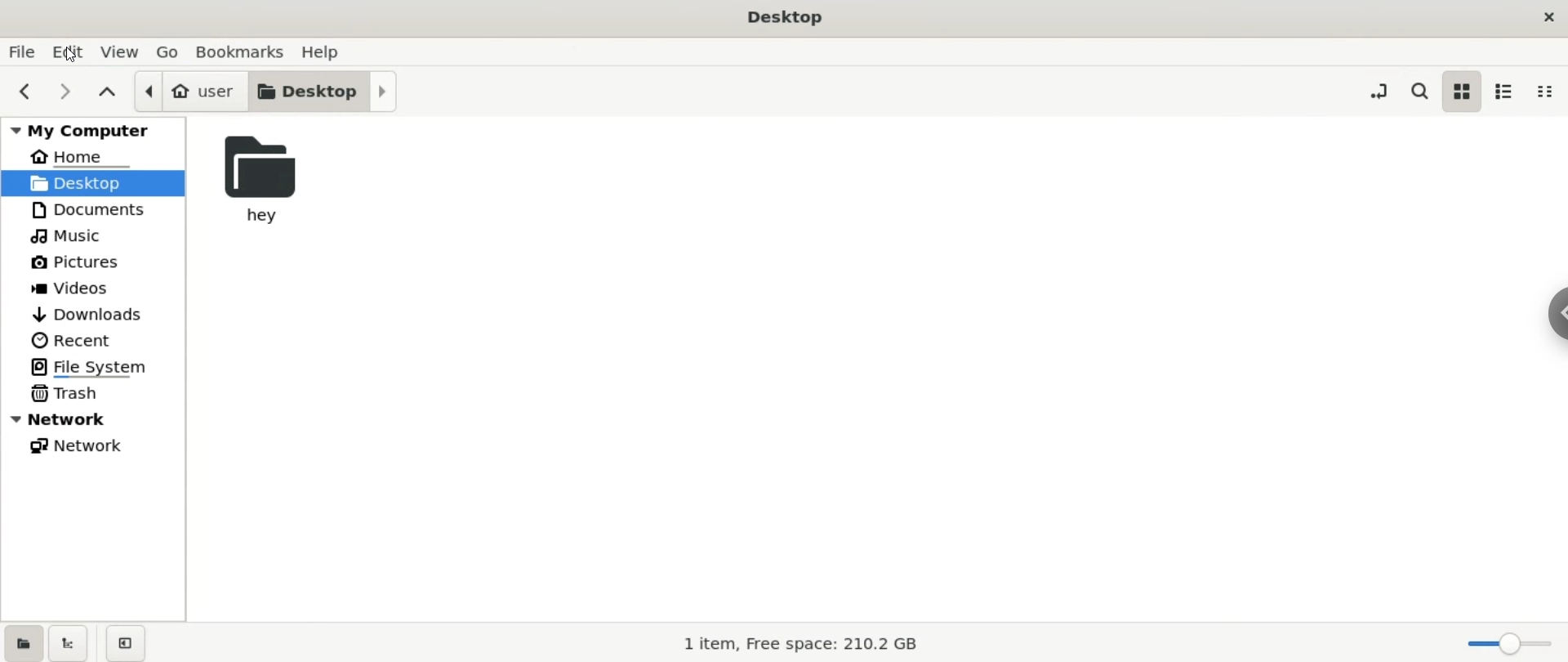 The image size is (1568, 662). What do you see at coordinates (782, 16) in the screenshot?
I see `Desktop` at bounding box center [782, 16].